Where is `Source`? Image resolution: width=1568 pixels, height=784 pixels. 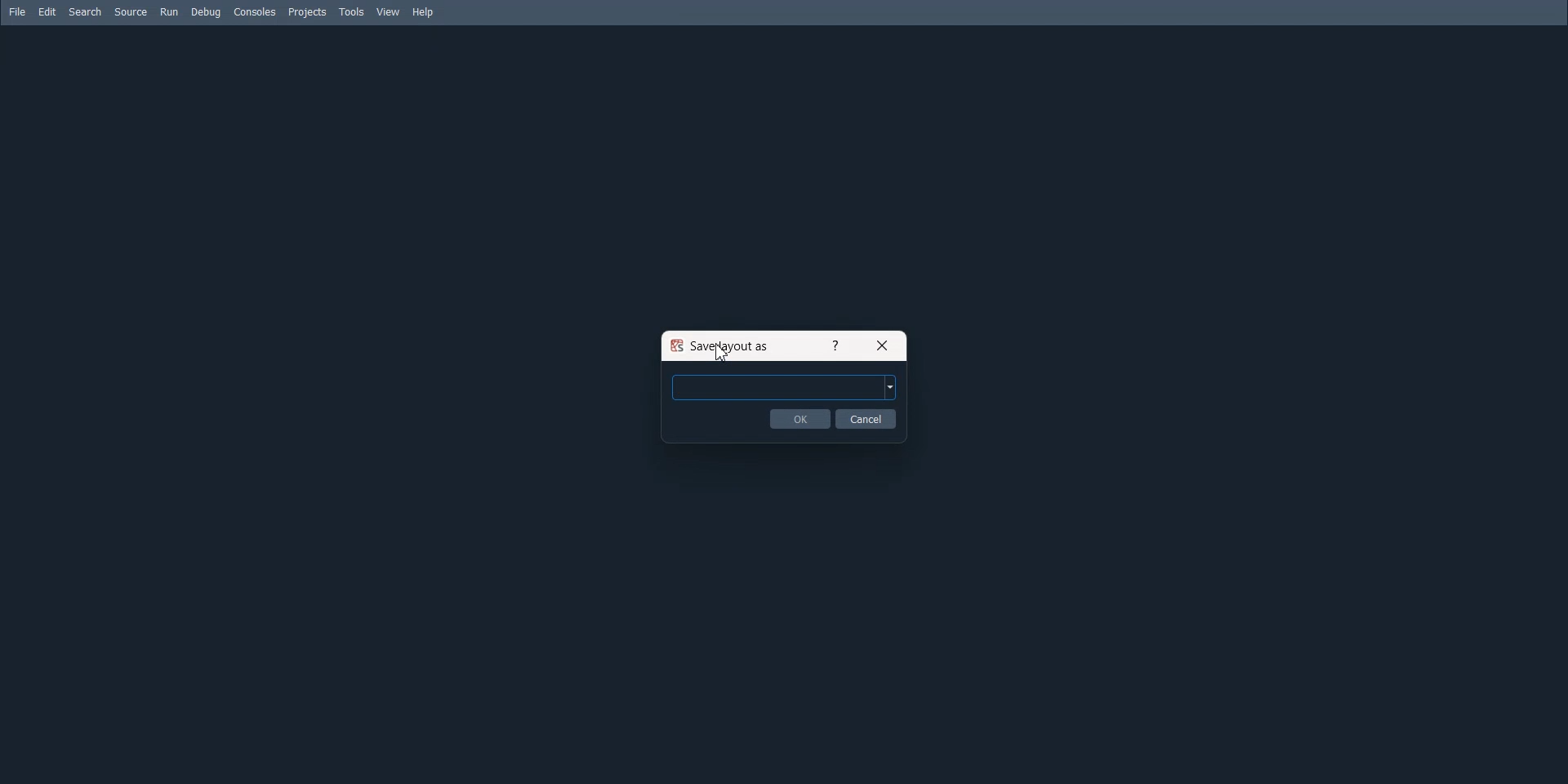 Source is located at coordinates (131, 11).